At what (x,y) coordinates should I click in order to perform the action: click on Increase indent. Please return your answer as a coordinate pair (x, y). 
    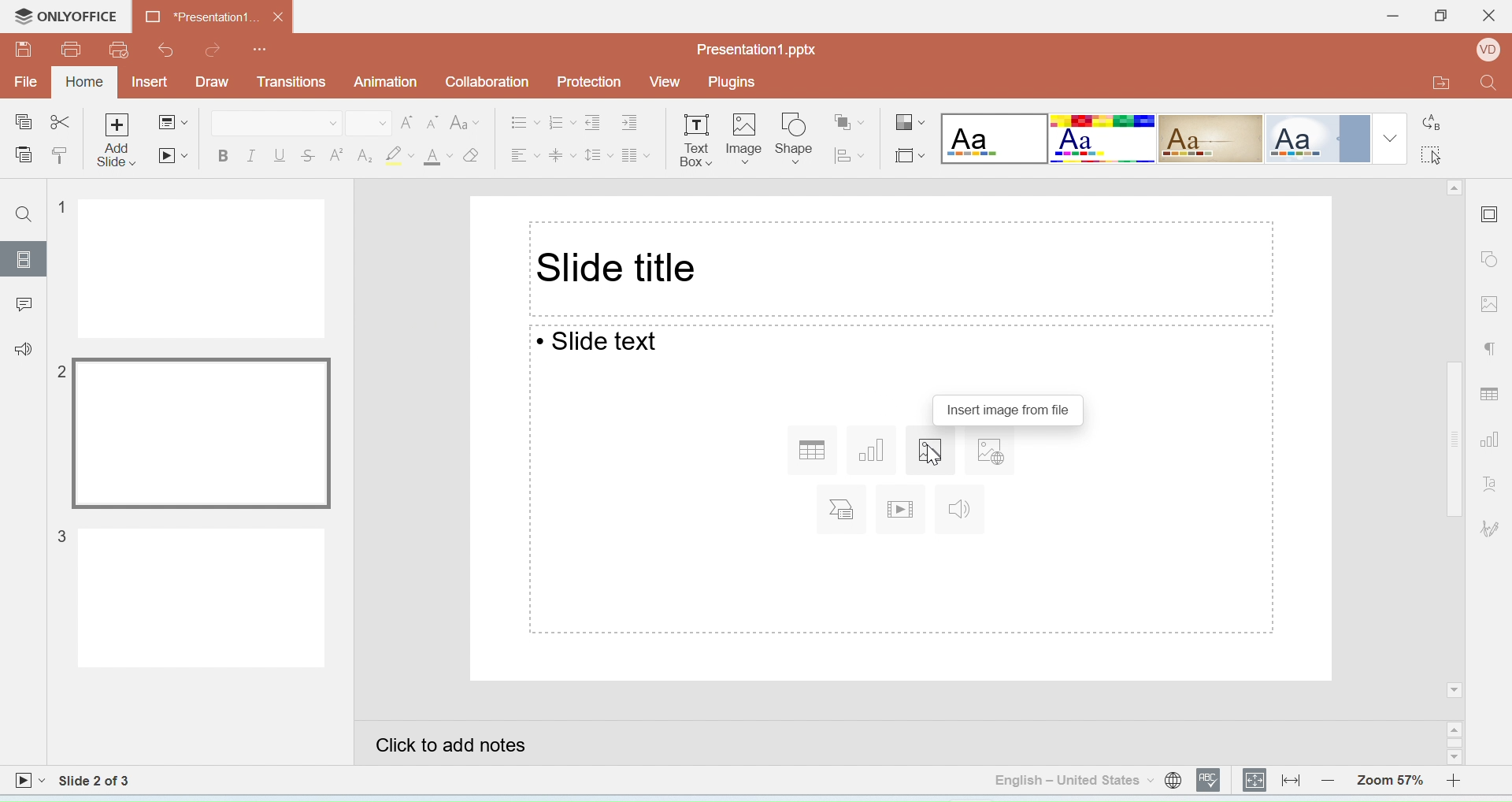
    Looking at the image, I should click on (637, 120).